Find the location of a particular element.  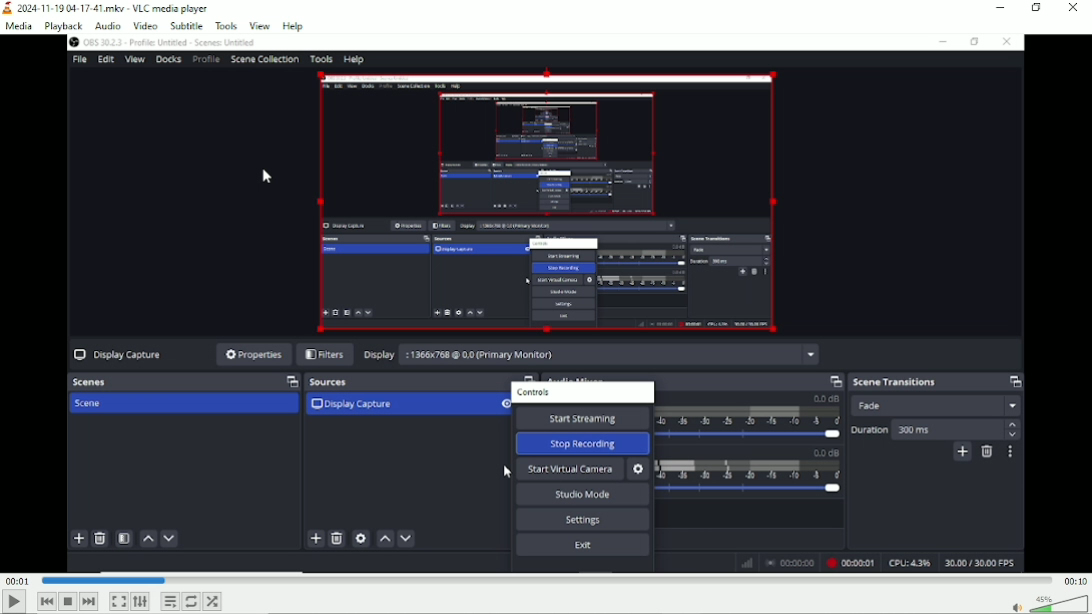

Random is located at coordinates (213, 600).